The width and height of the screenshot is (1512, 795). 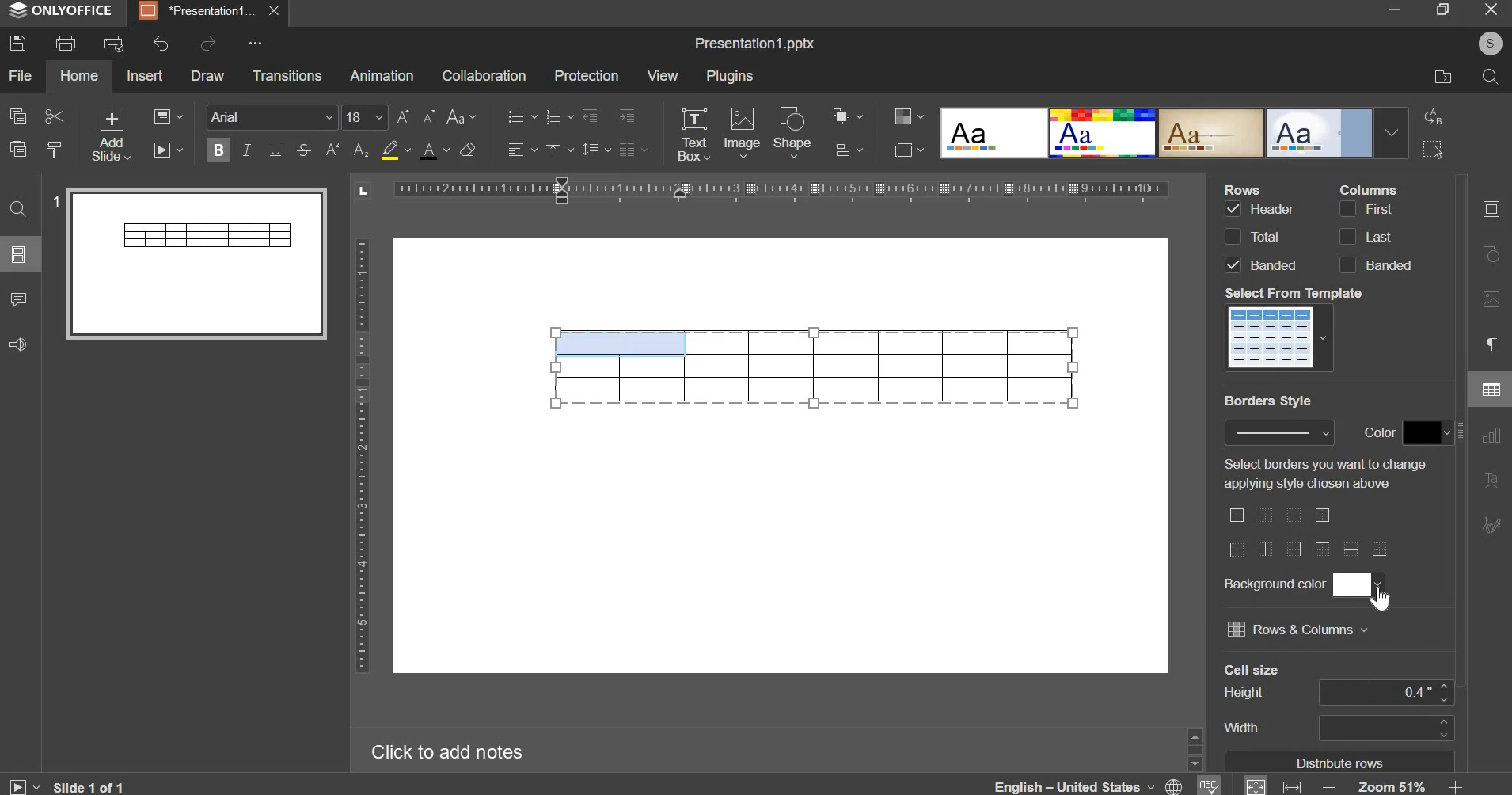 What do you see at coordinates (633, 150) in the screenshot?
I see `justified` at bounding box center [633, 150].